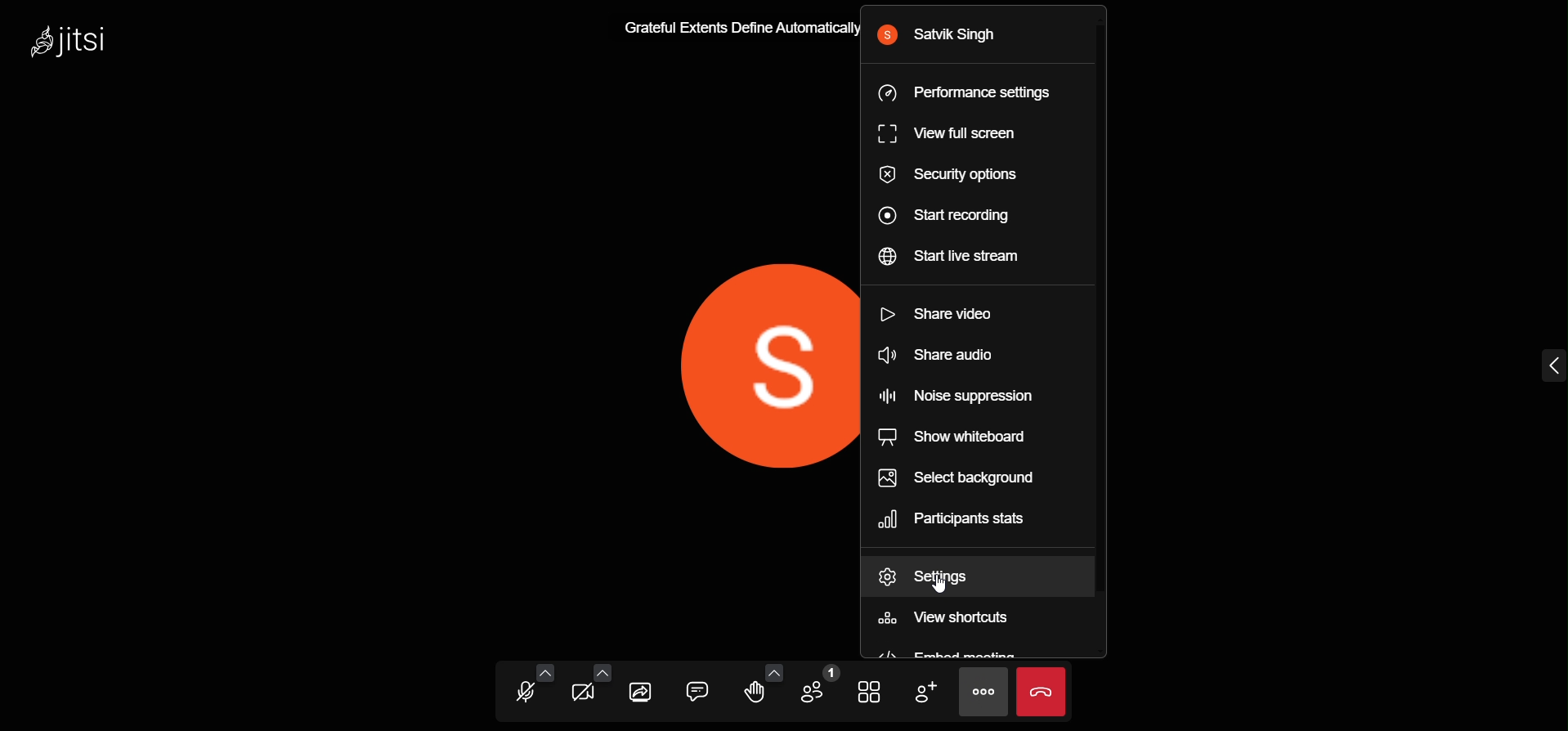 This screenshot has width=1568, height=731. Describe the element at coordinates (983, 690) in the screenshot. I see `more` at that location.